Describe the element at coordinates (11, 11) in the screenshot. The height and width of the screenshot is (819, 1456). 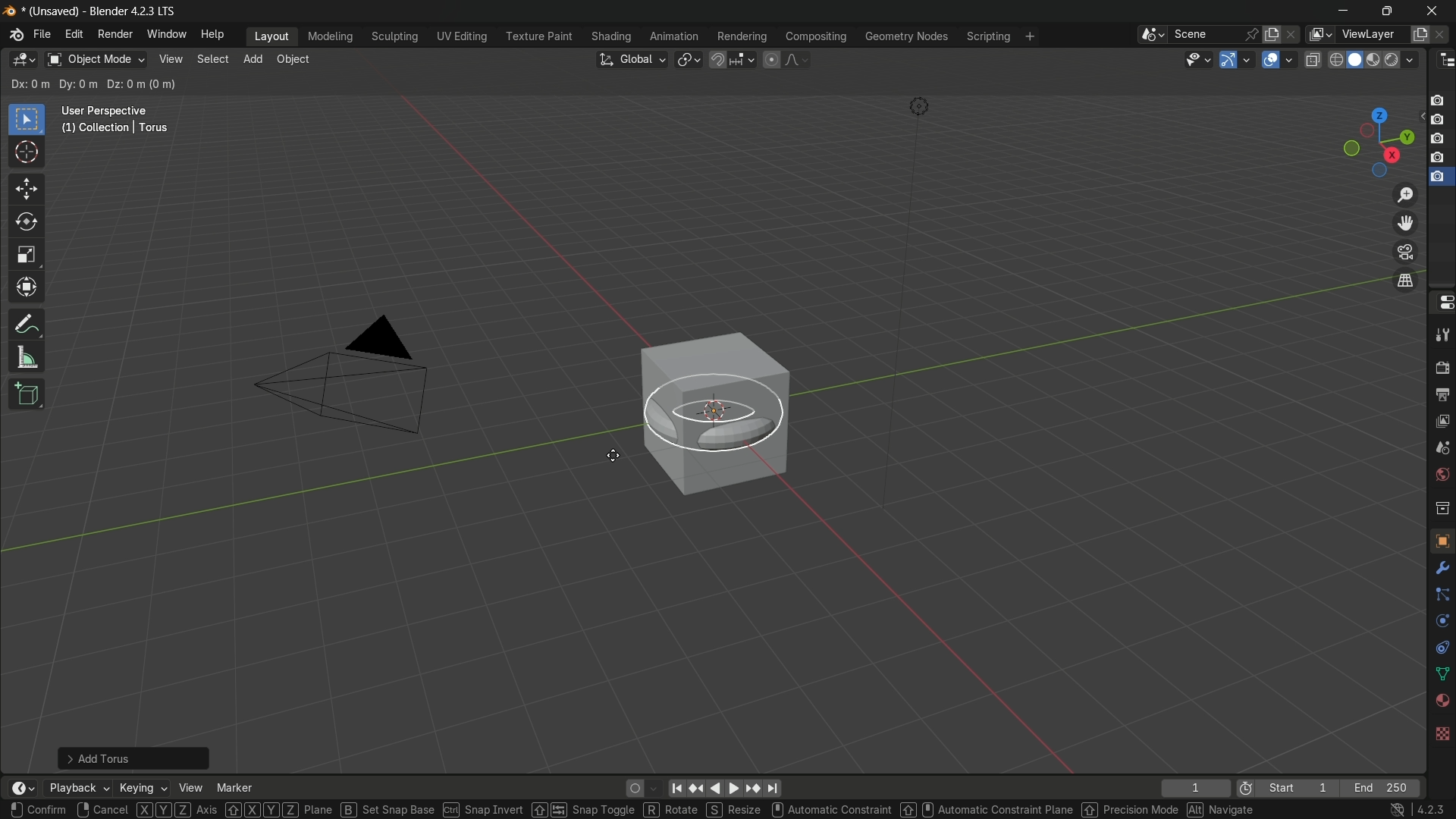
I see `logo` at that location.